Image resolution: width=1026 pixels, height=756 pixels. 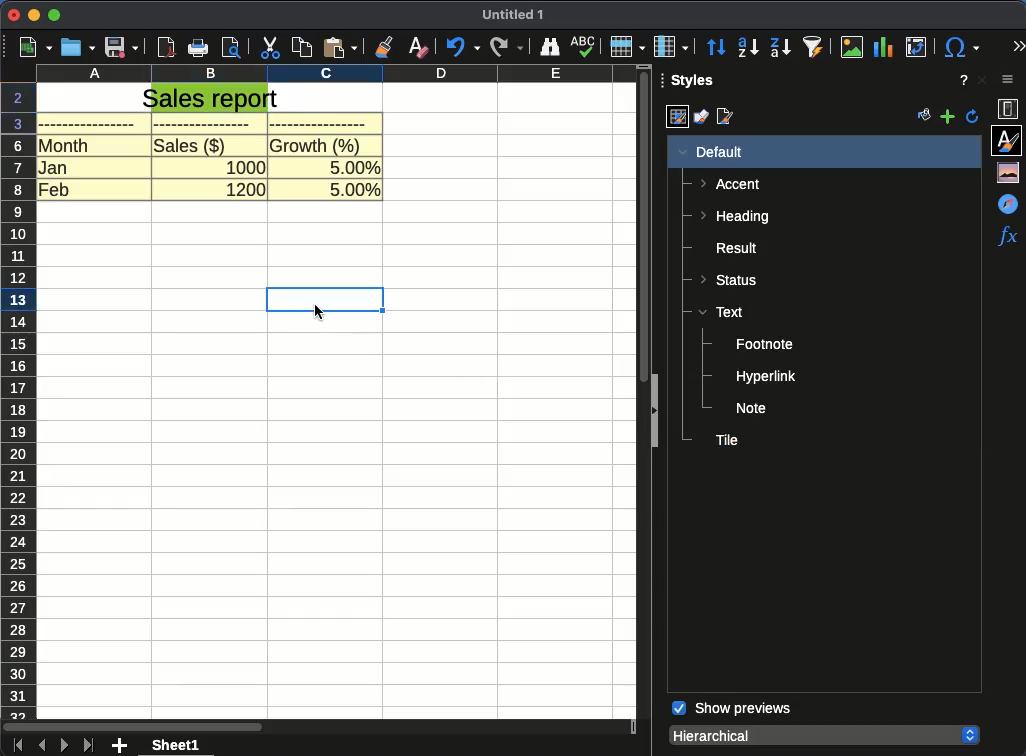 What do you see at coordinates (271, 48) in the screenshot?
I see `cut` at bounding box center [271, 48].